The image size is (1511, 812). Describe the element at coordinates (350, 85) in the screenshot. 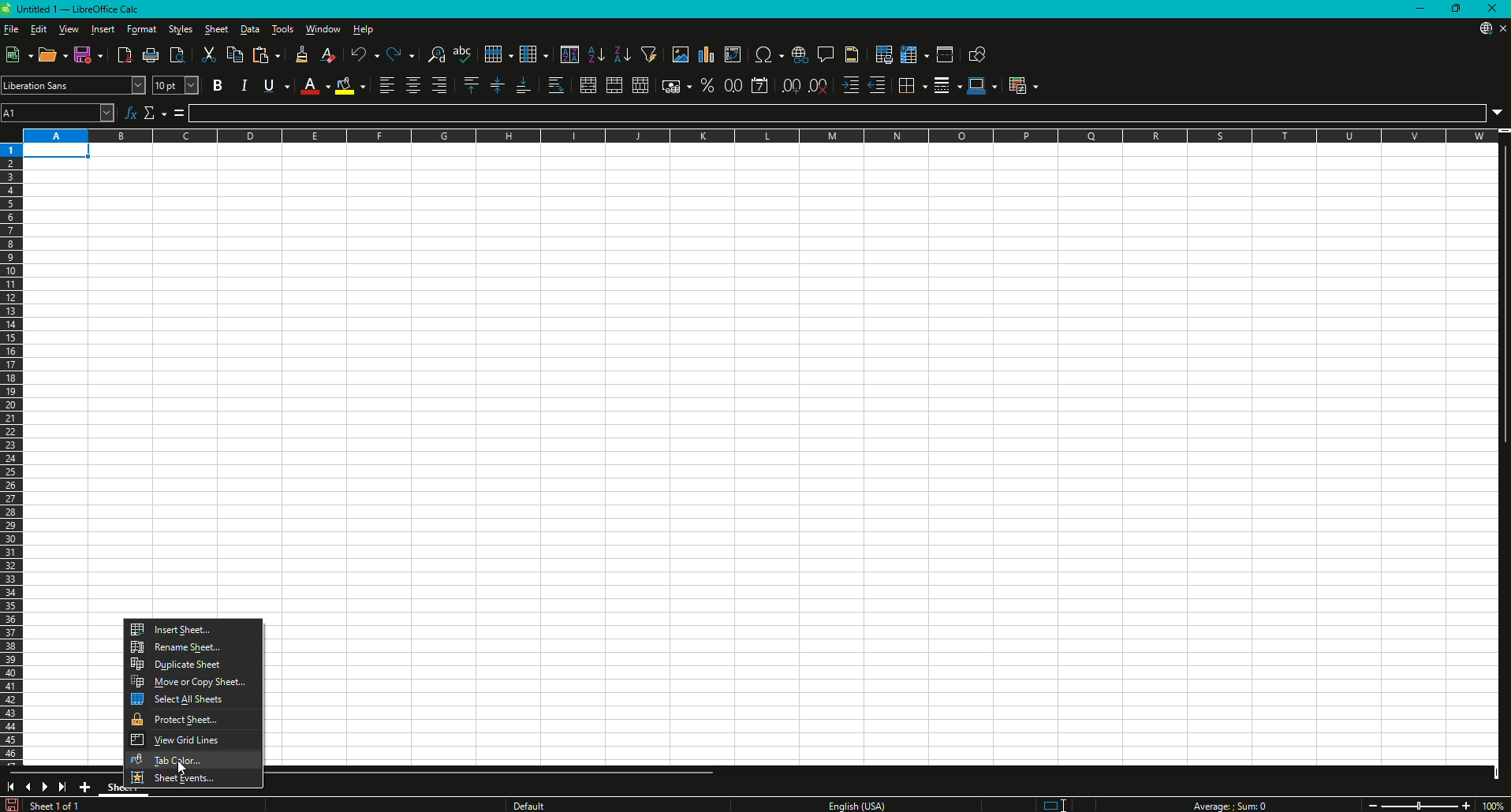

I see `Background Color` at that location.